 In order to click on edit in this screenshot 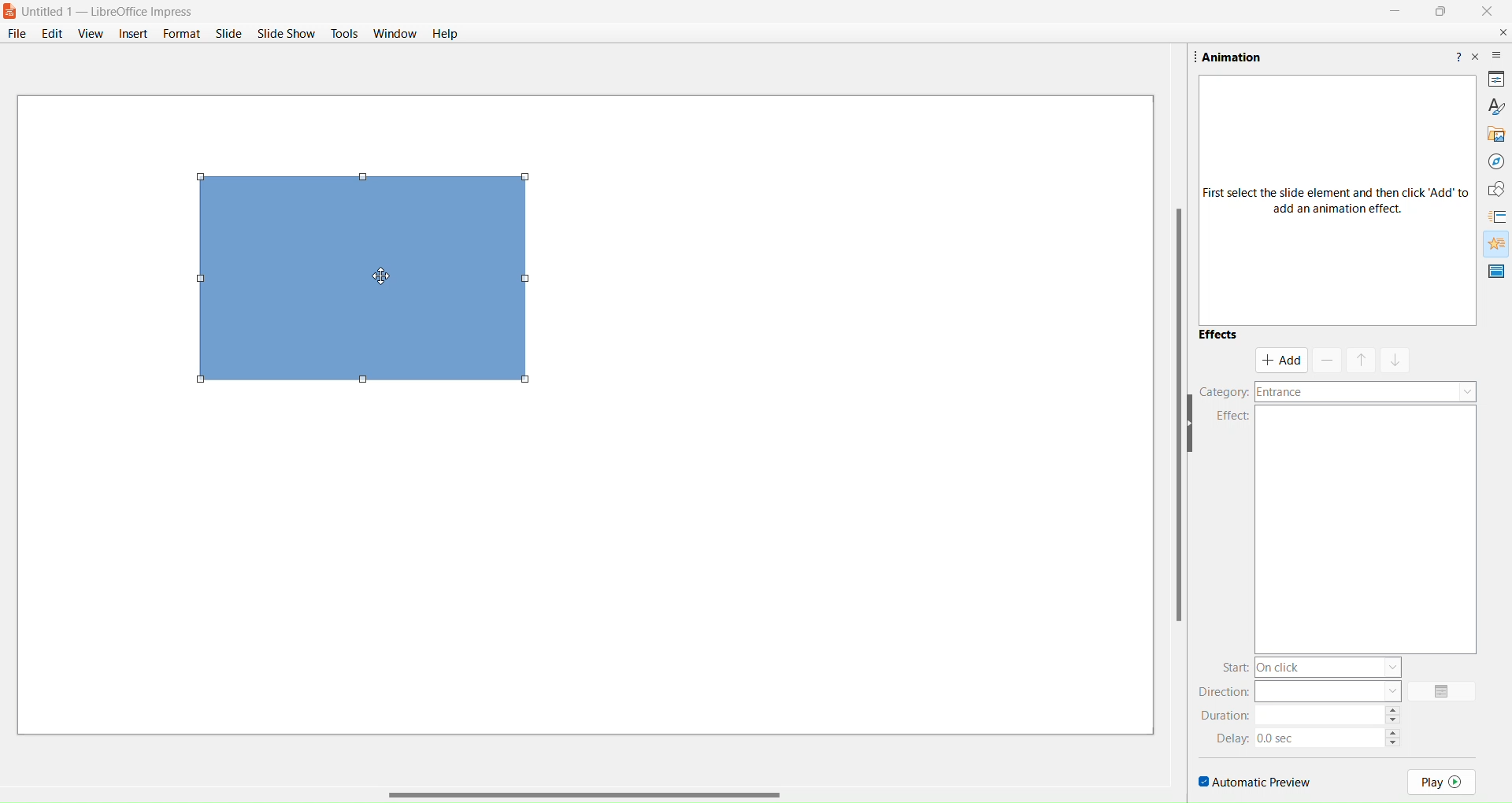, I will do `click(54, 32)`.